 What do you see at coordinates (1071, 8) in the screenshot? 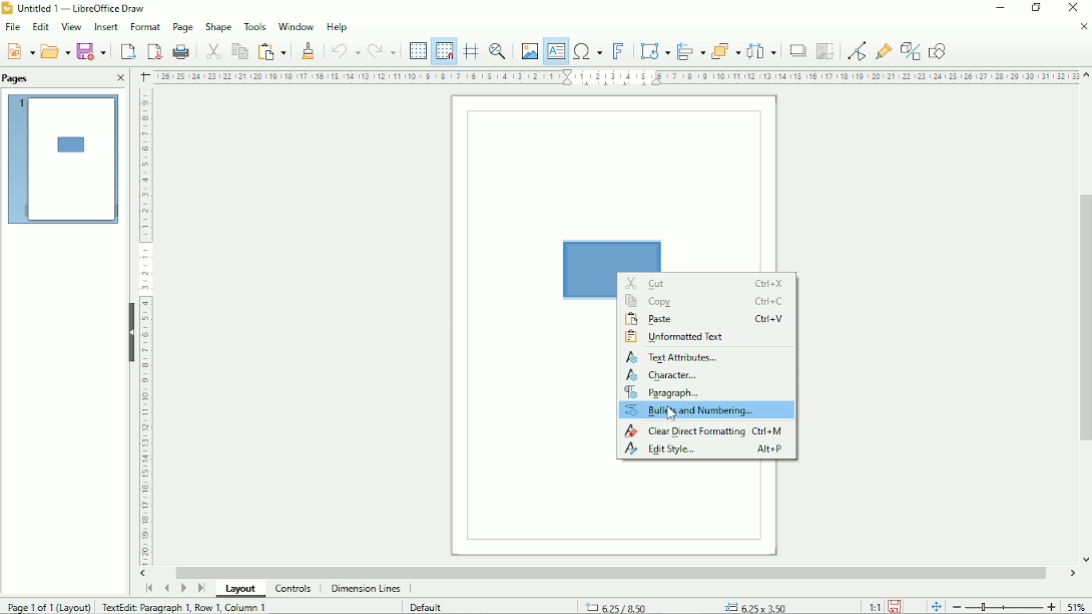
I see `Close` at bounding box center [1071, 8].